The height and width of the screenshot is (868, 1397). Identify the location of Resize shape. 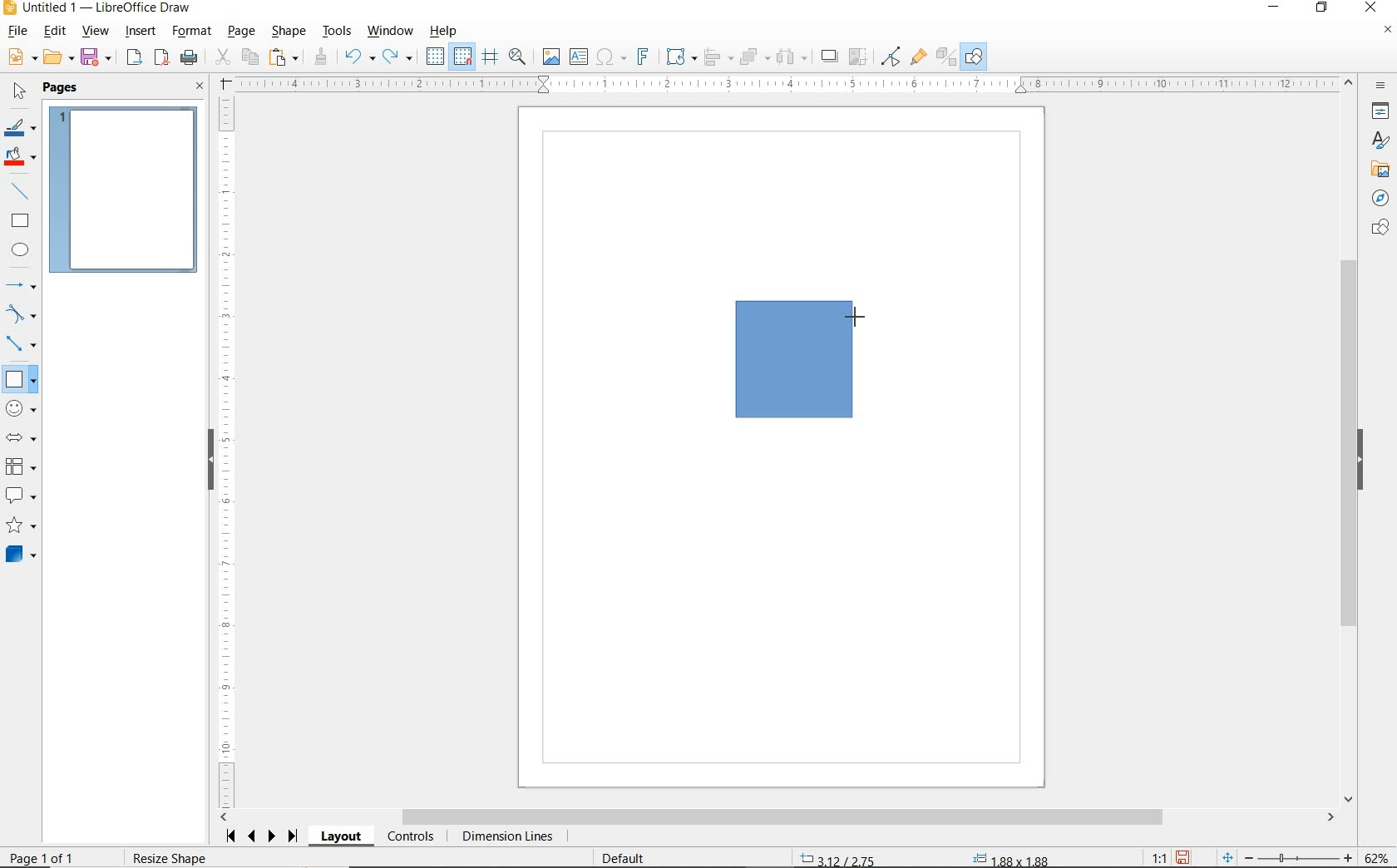
(180, 860).